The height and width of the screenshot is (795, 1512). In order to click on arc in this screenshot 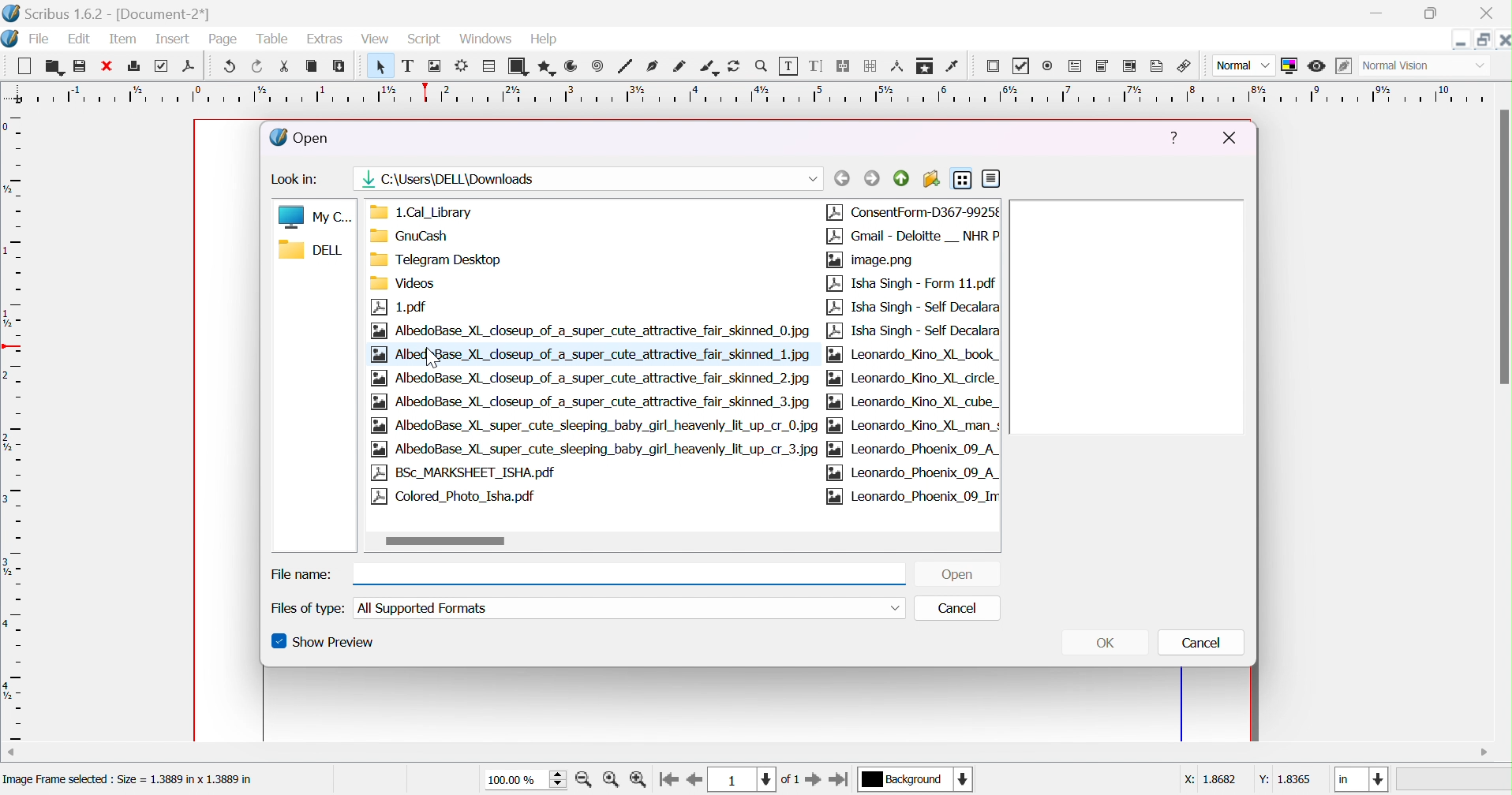, I will do `click(572, 65)`.